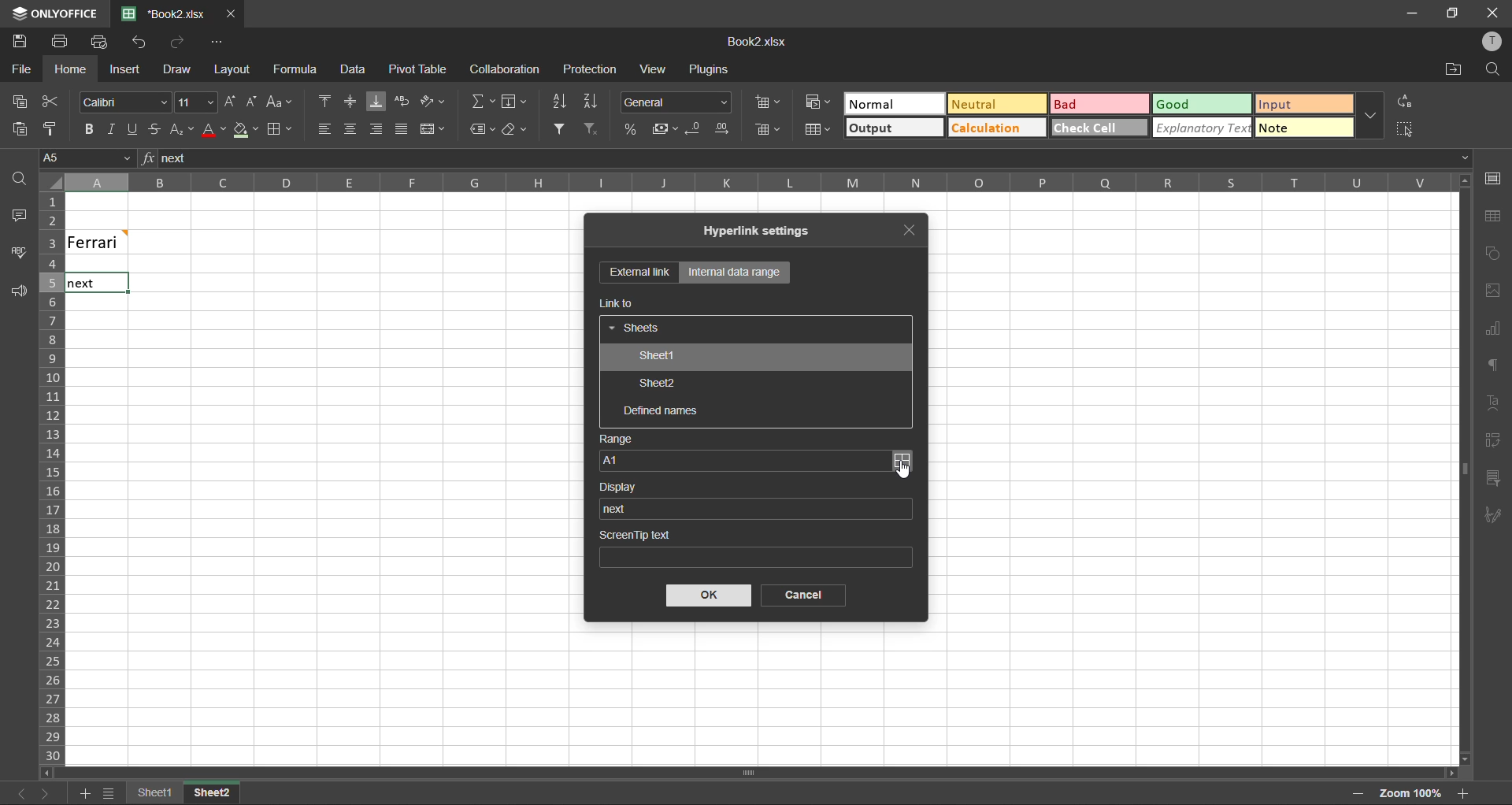 Image resolution: width=1512 pixels, height=805 pixels. Describe the element at coordinates (1492, 478) in the screenshot. I see `slicer` at that location.